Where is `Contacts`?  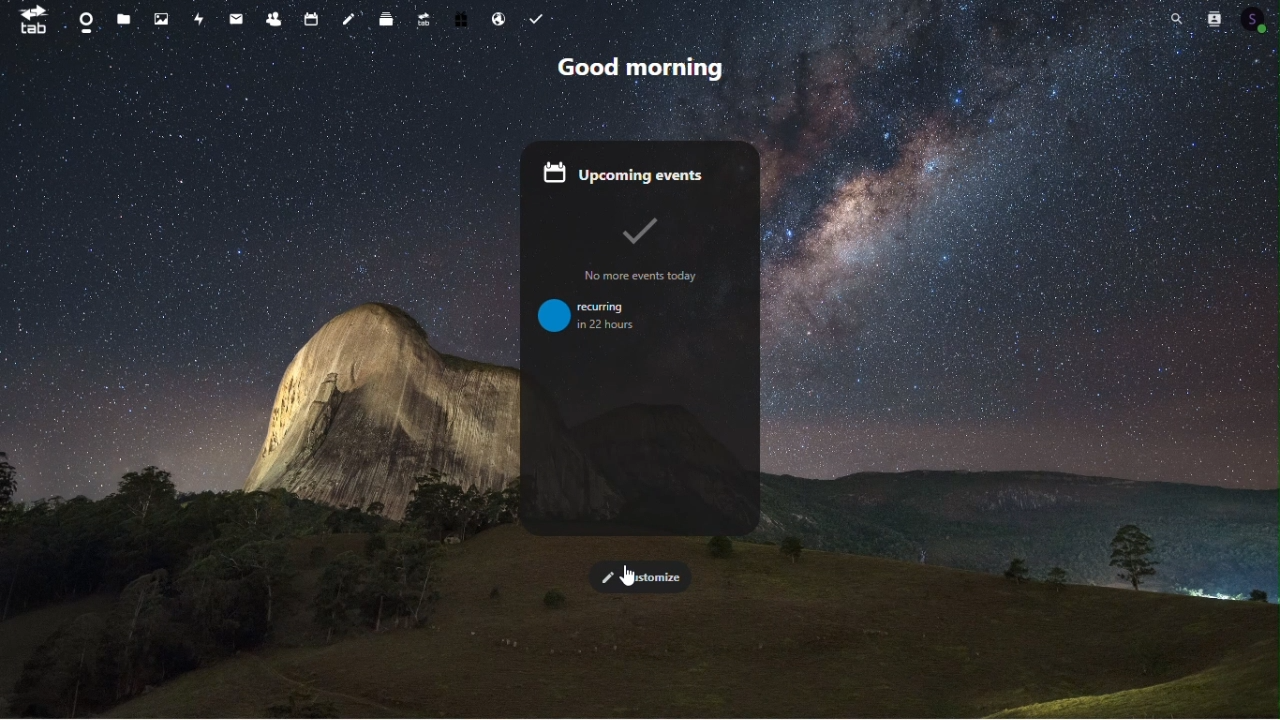
Contacts is located at coordinates (1215, 17).